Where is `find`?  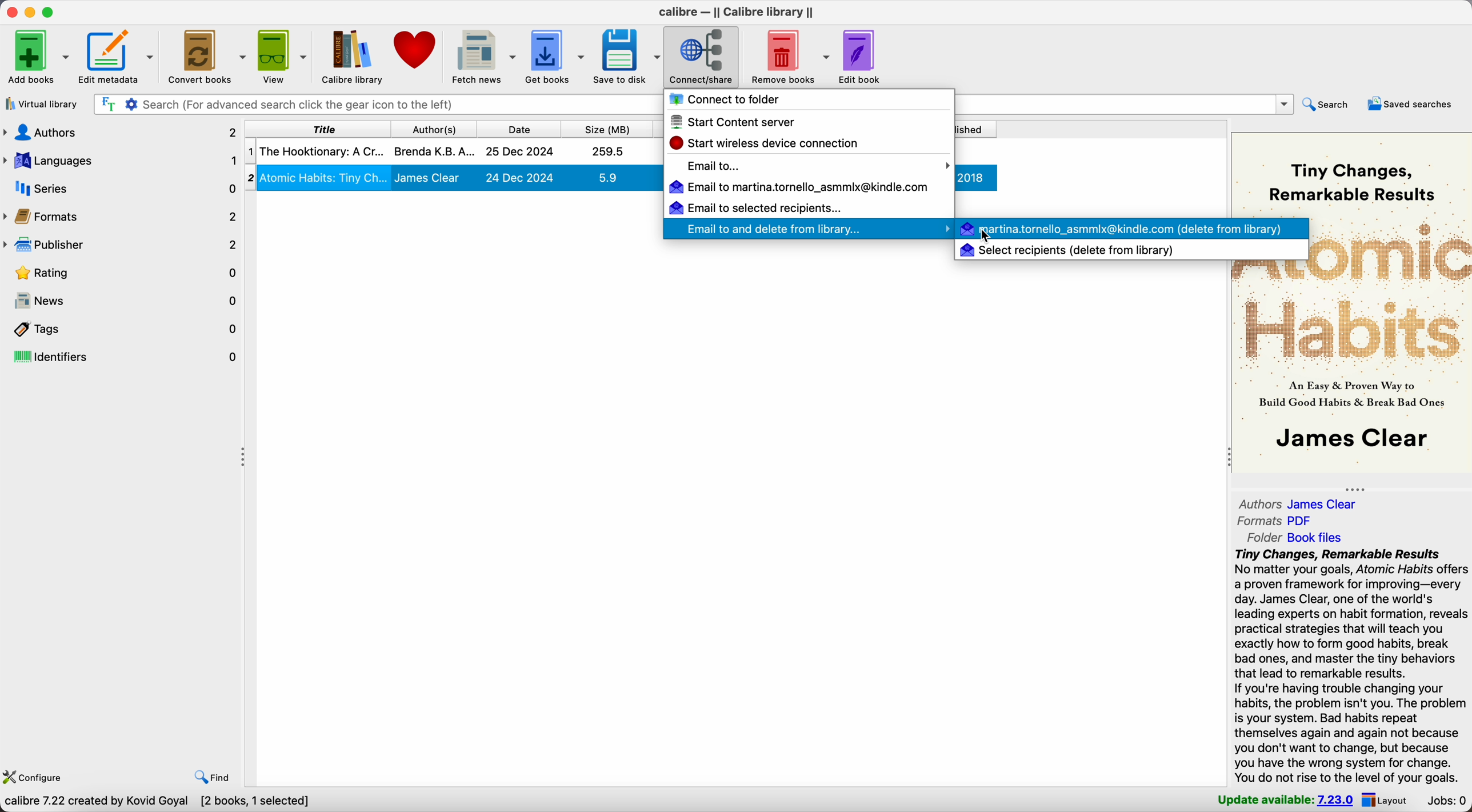 find is located at coordinates (211, 778).